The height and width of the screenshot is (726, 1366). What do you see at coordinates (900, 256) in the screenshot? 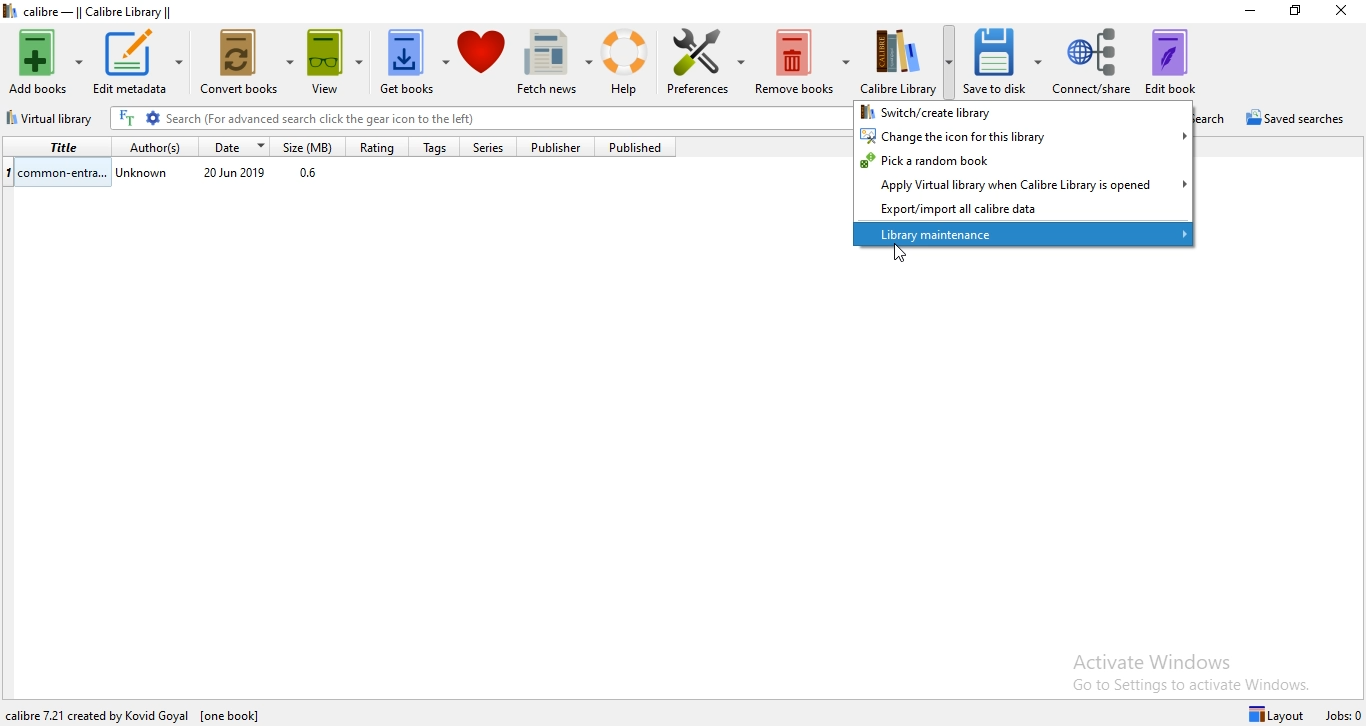
I see `cursor` at bounding box center [900, 256].